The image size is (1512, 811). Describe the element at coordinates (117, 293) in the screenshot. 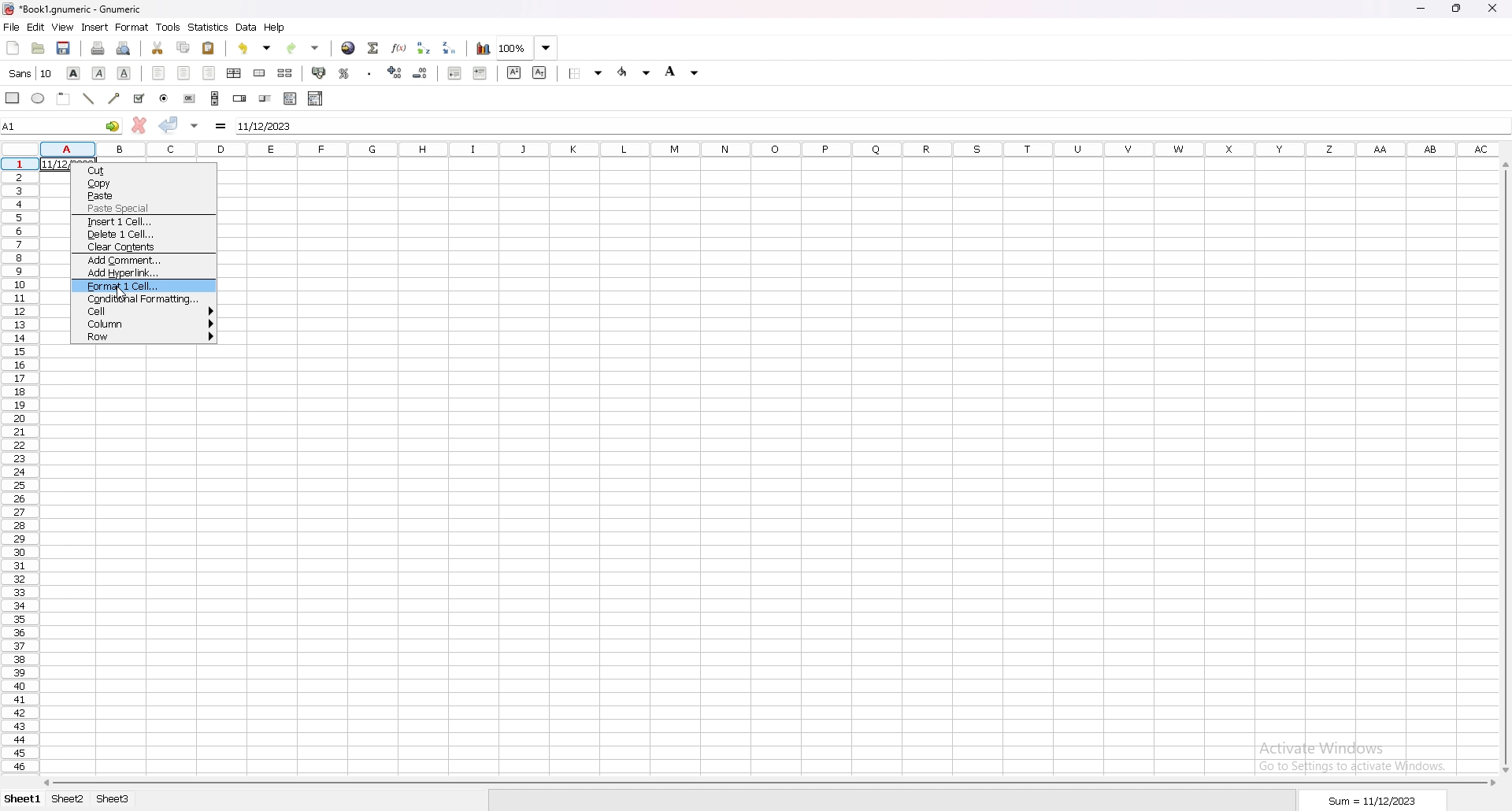

I see `cursor` at that location.